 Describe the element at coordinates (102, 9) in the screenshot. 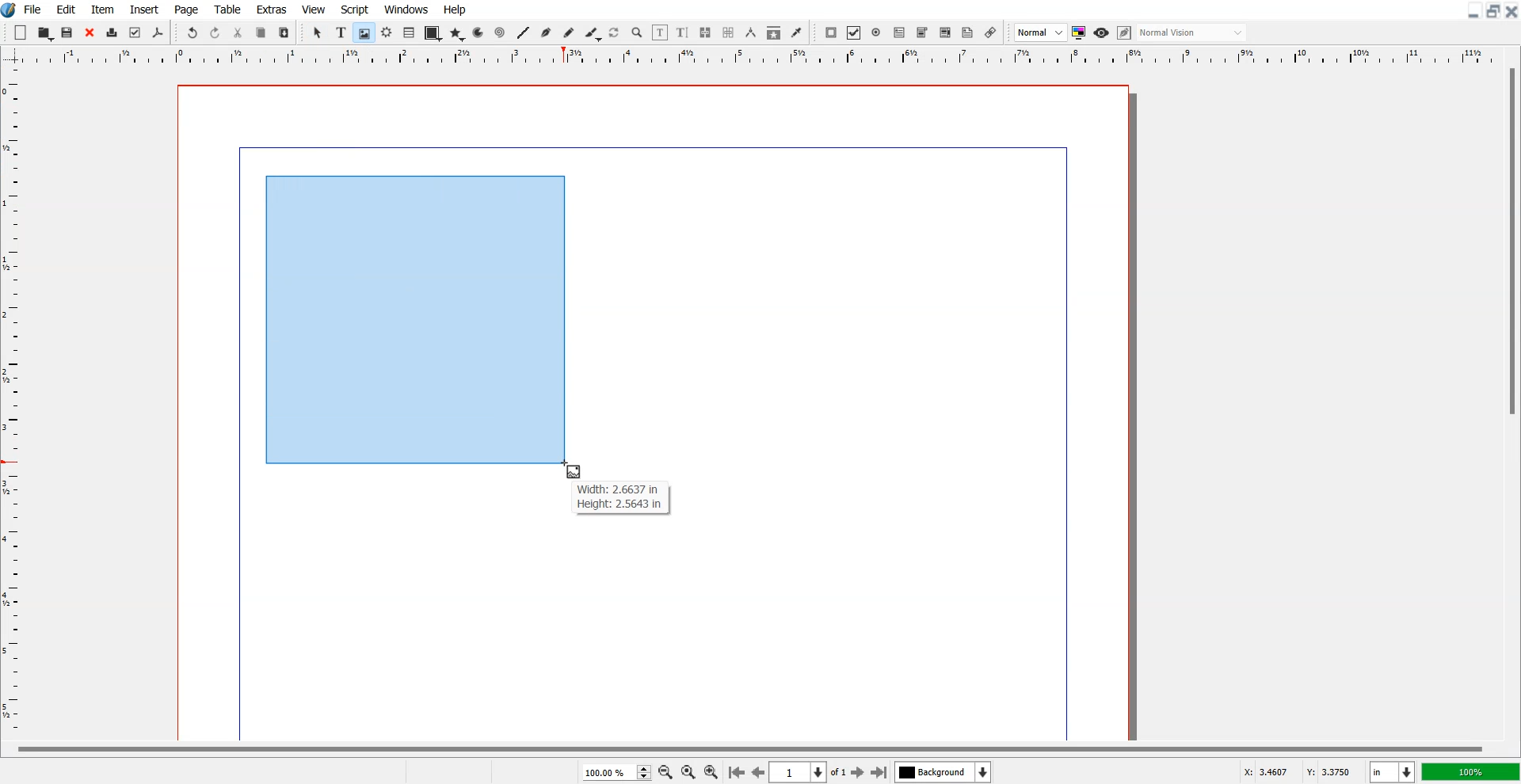

I see `Item` at that location.